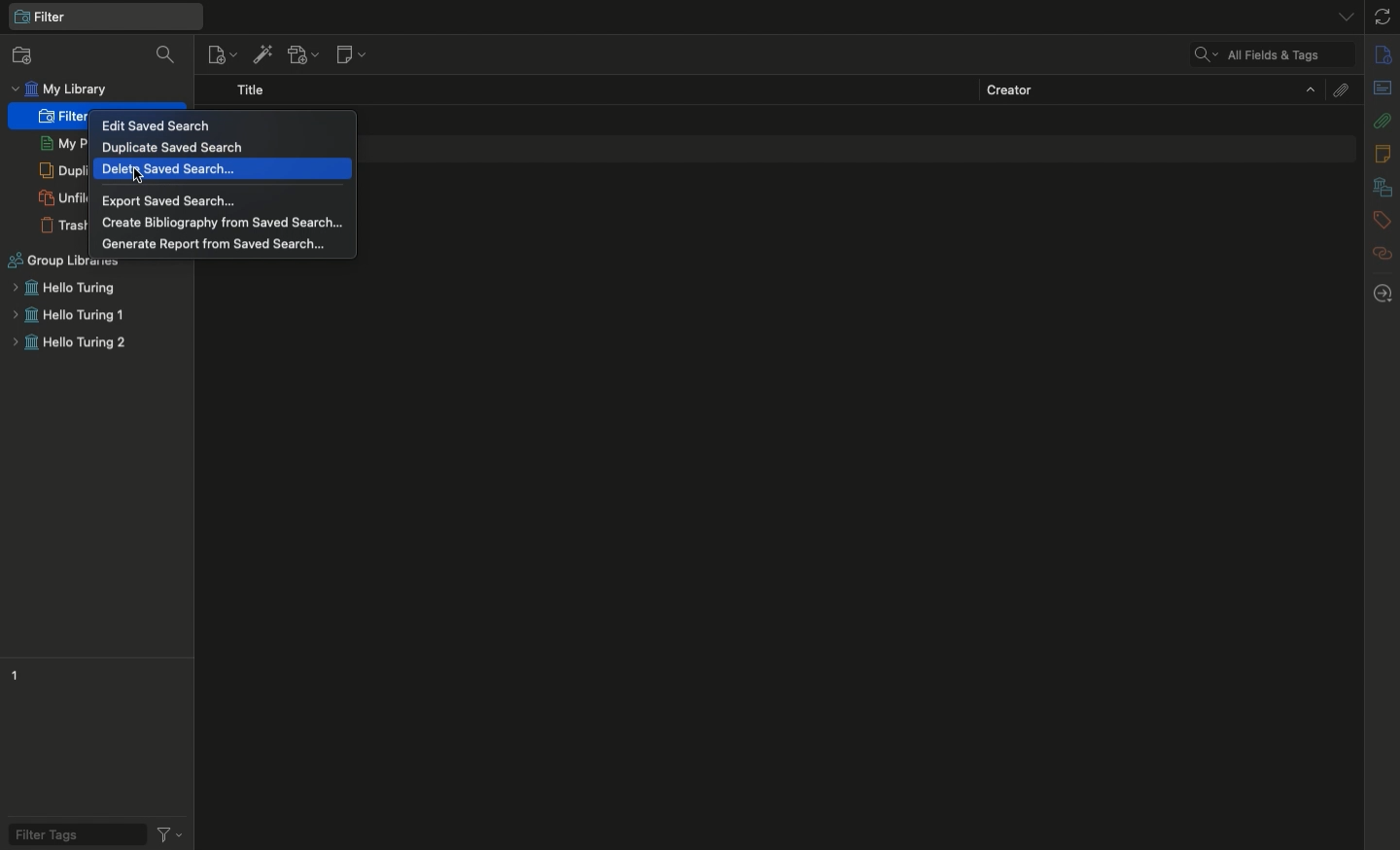  What do you see at coordinates (61, 196) in the screenshot?
I see `` at bounding box center [61, 196].